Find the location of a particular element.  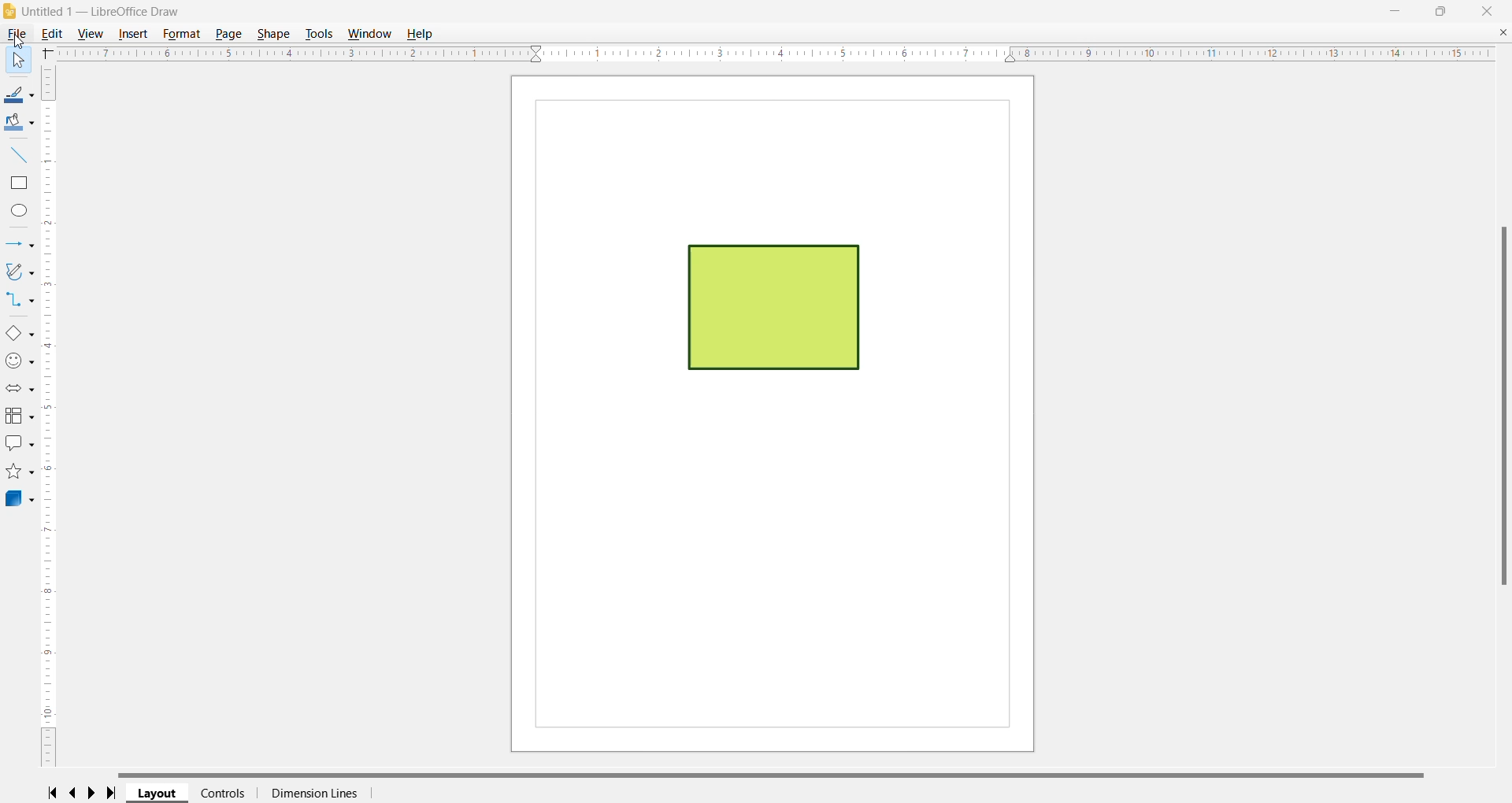

Page is located at coordinates (231, 35).